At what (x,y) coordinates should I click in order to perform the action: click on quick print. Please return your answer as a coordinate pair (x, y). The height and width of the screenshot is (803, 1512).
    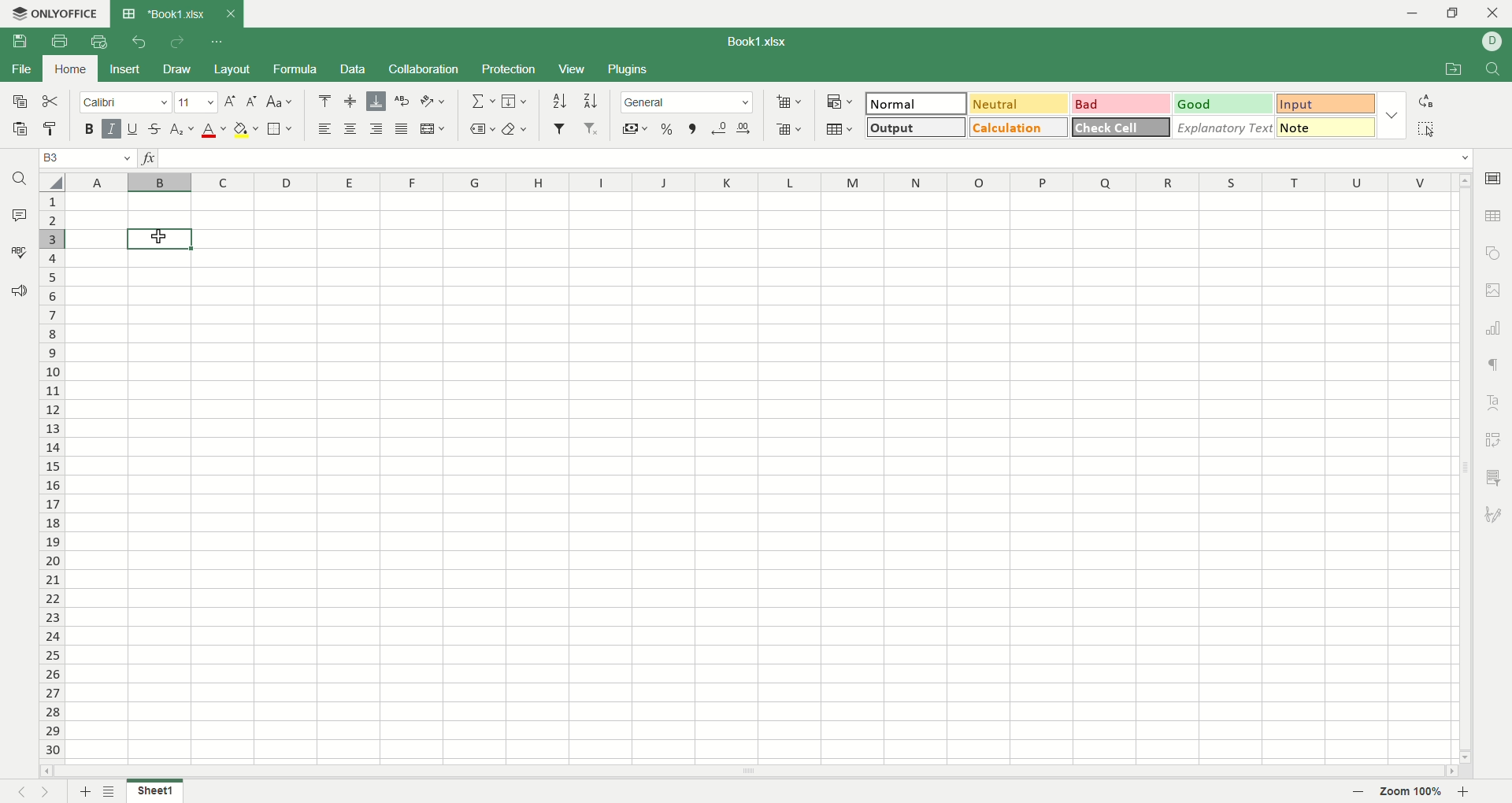
    Looking at the image, I should click on (98, 42).